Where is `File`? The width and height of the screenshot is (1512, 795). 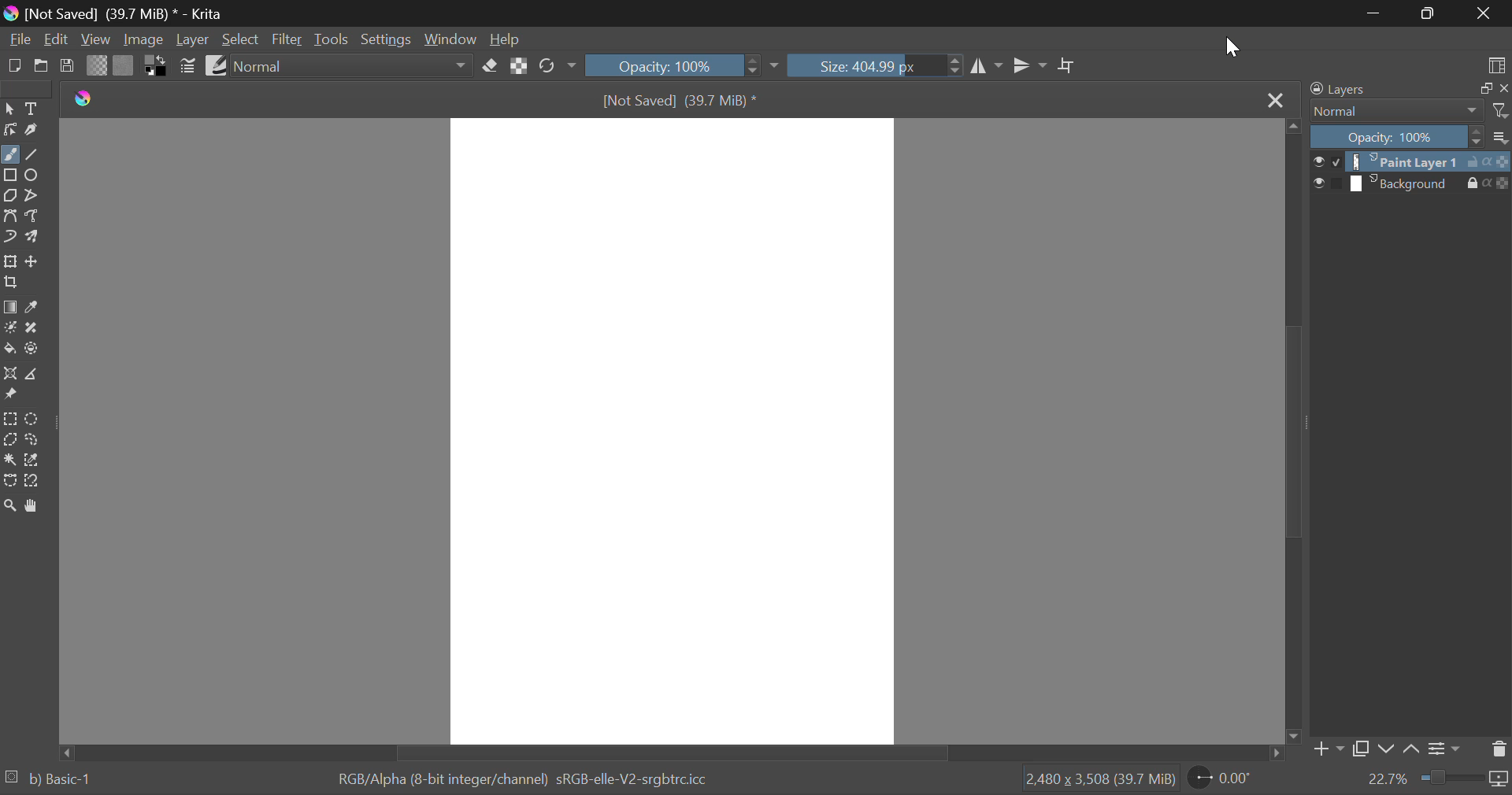
File is located at coordinates (19, 39).